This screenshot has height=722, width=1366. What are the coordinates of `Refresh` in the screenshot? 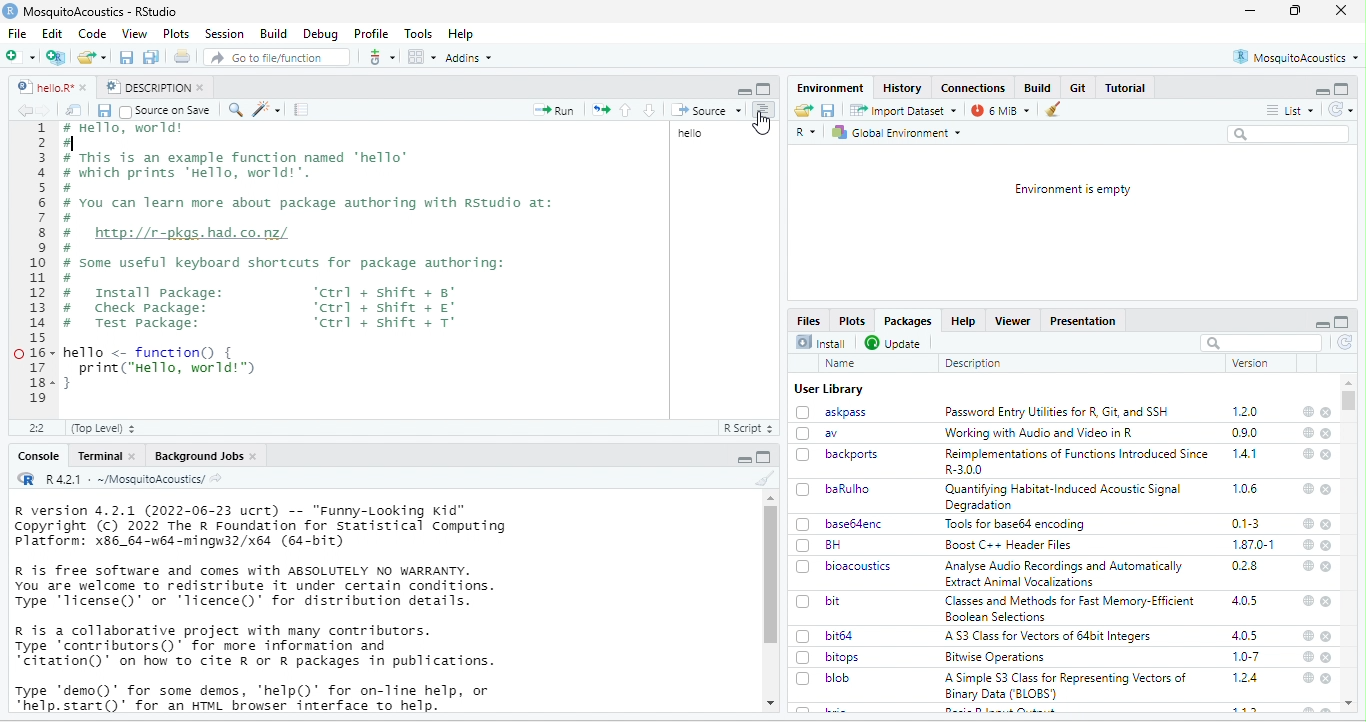 It's located at (1340, 109).